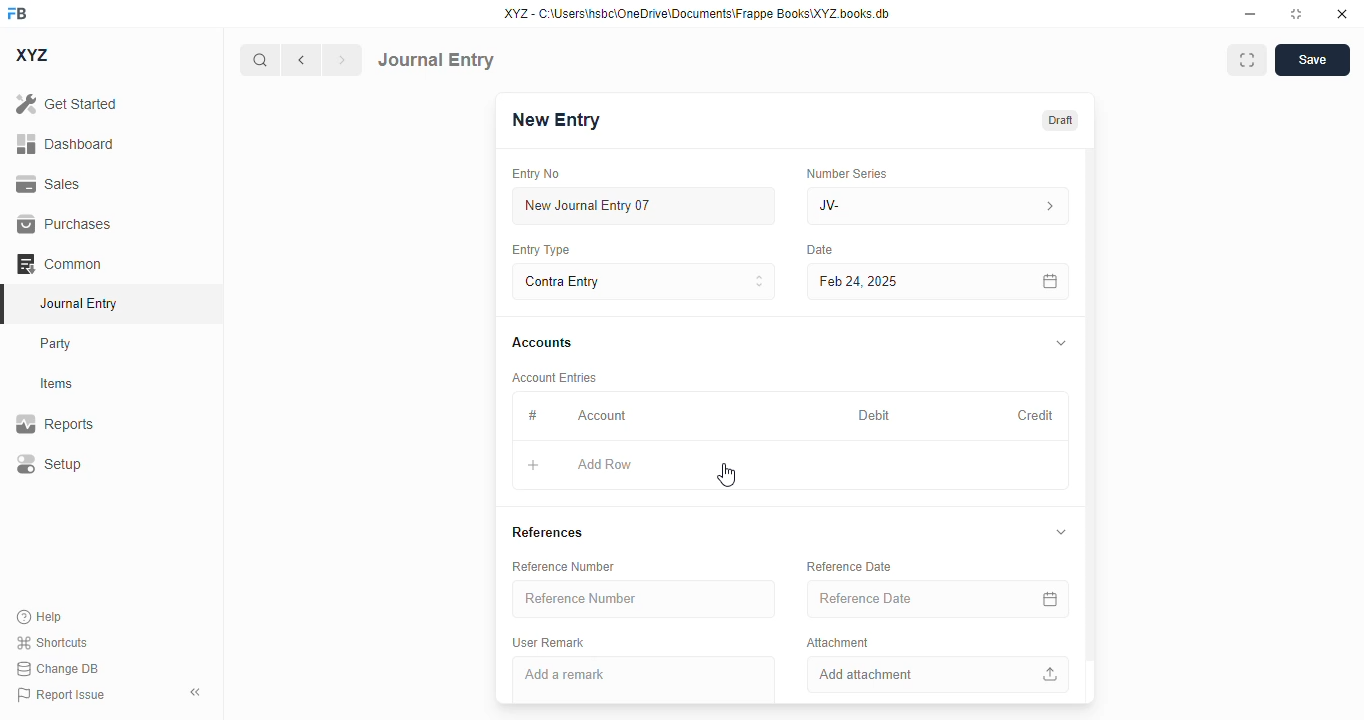 The height and width of the screenshot is (720, 1364). Describe the element at coordinates (197, 692) in the screenshot. I see `toggle sidebar` at that location.